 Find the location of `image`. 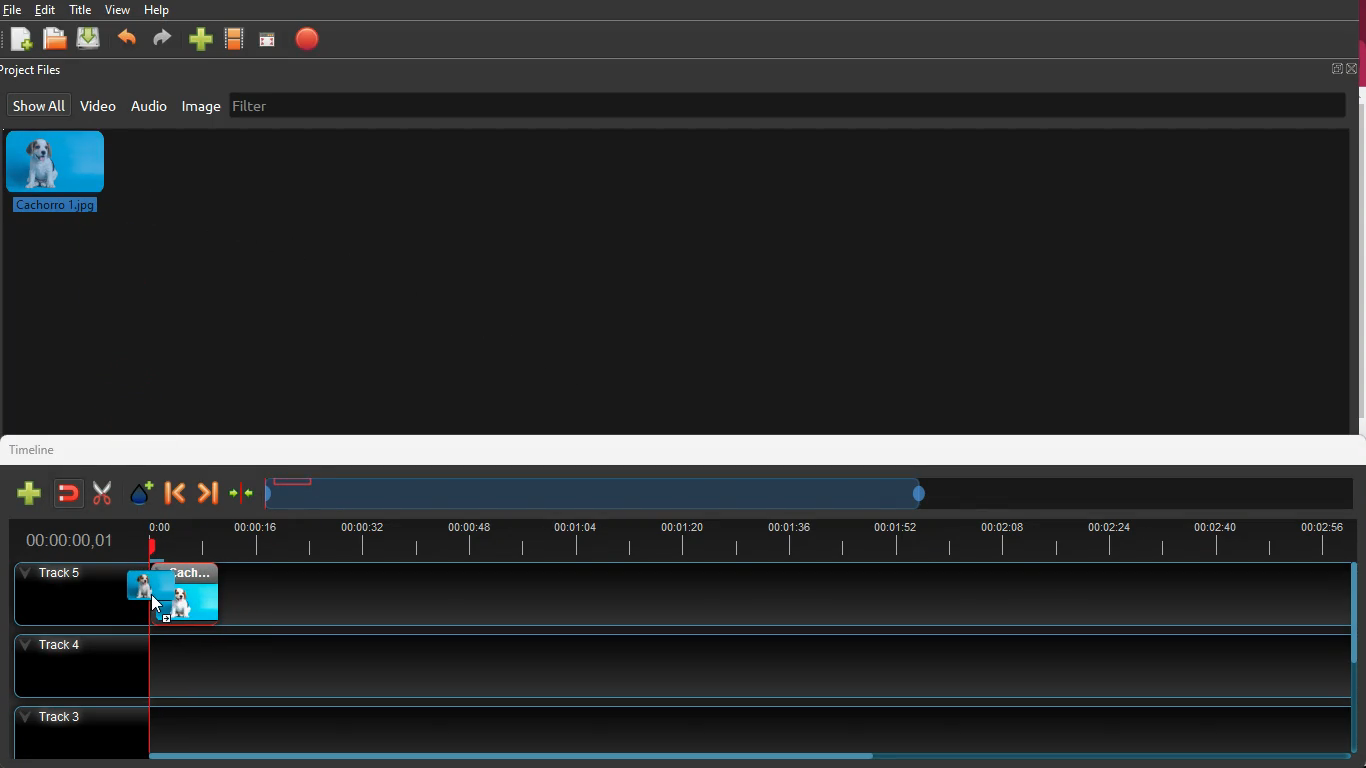

image is located at coordinates (202, 106).